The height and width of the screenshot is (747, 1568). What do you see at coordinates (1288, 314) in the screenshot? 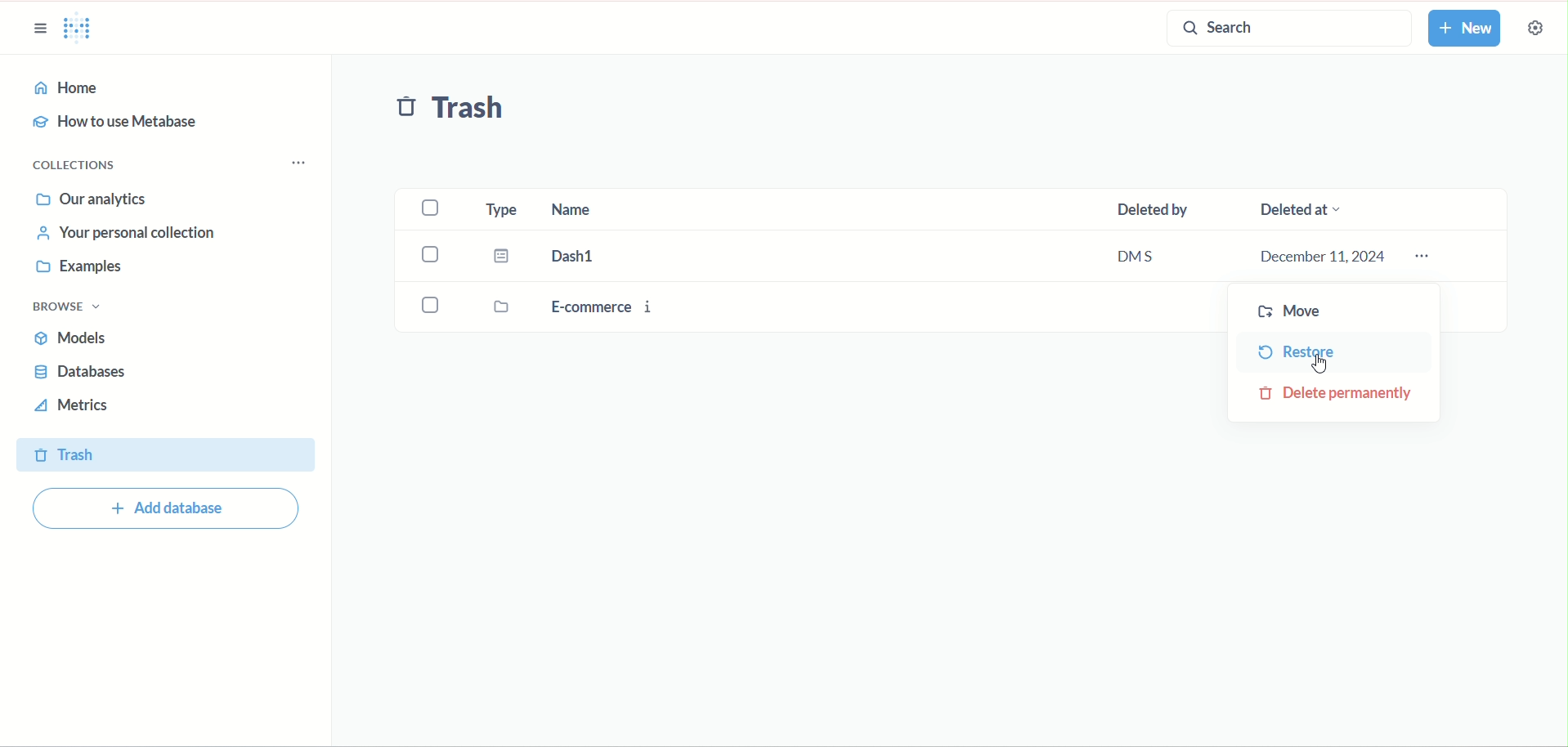
I see `move` at bounding box center [1288, 314].